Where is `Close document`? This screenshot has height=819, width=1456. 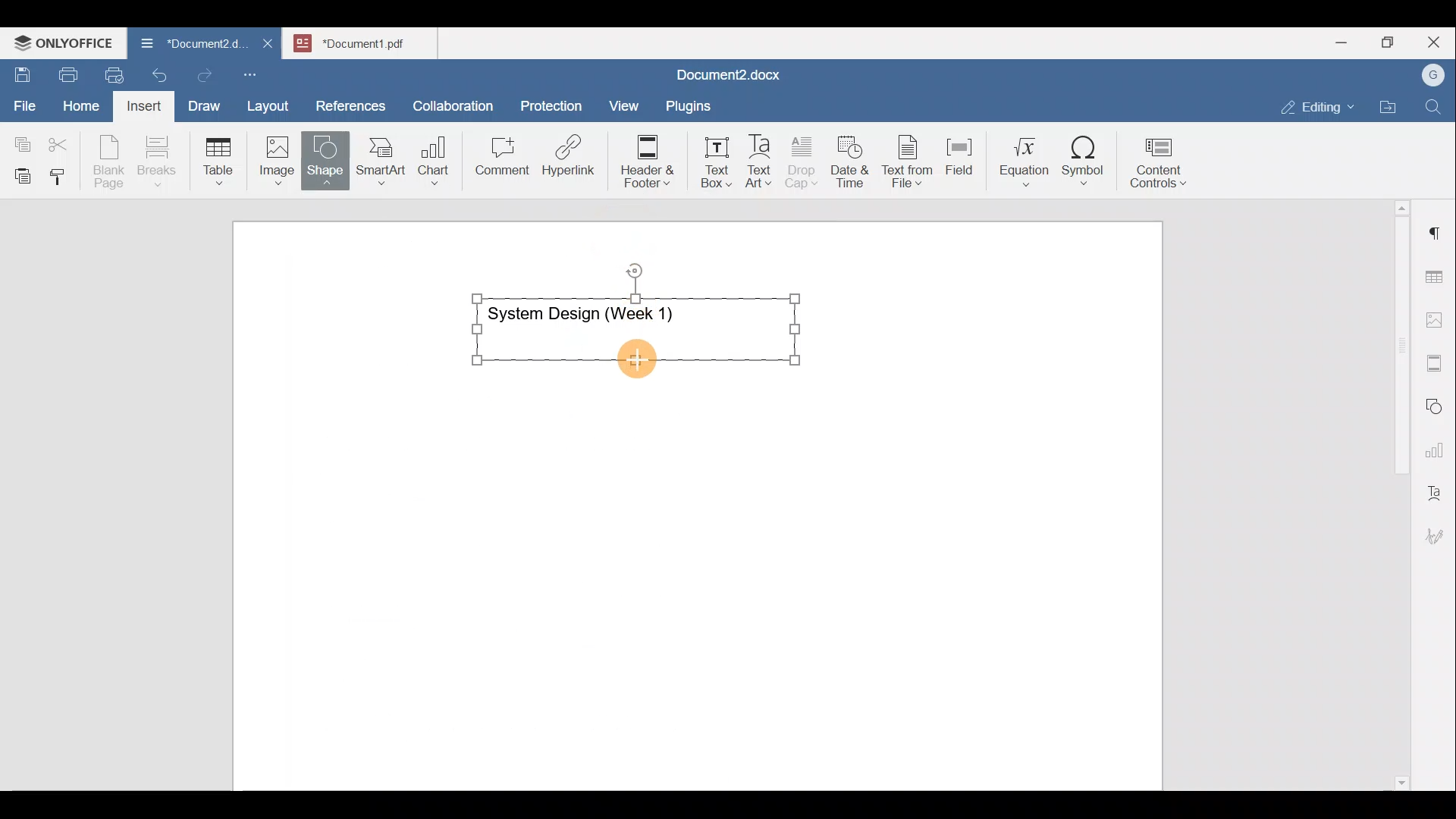 Close document is located at coordinates (268, 45).